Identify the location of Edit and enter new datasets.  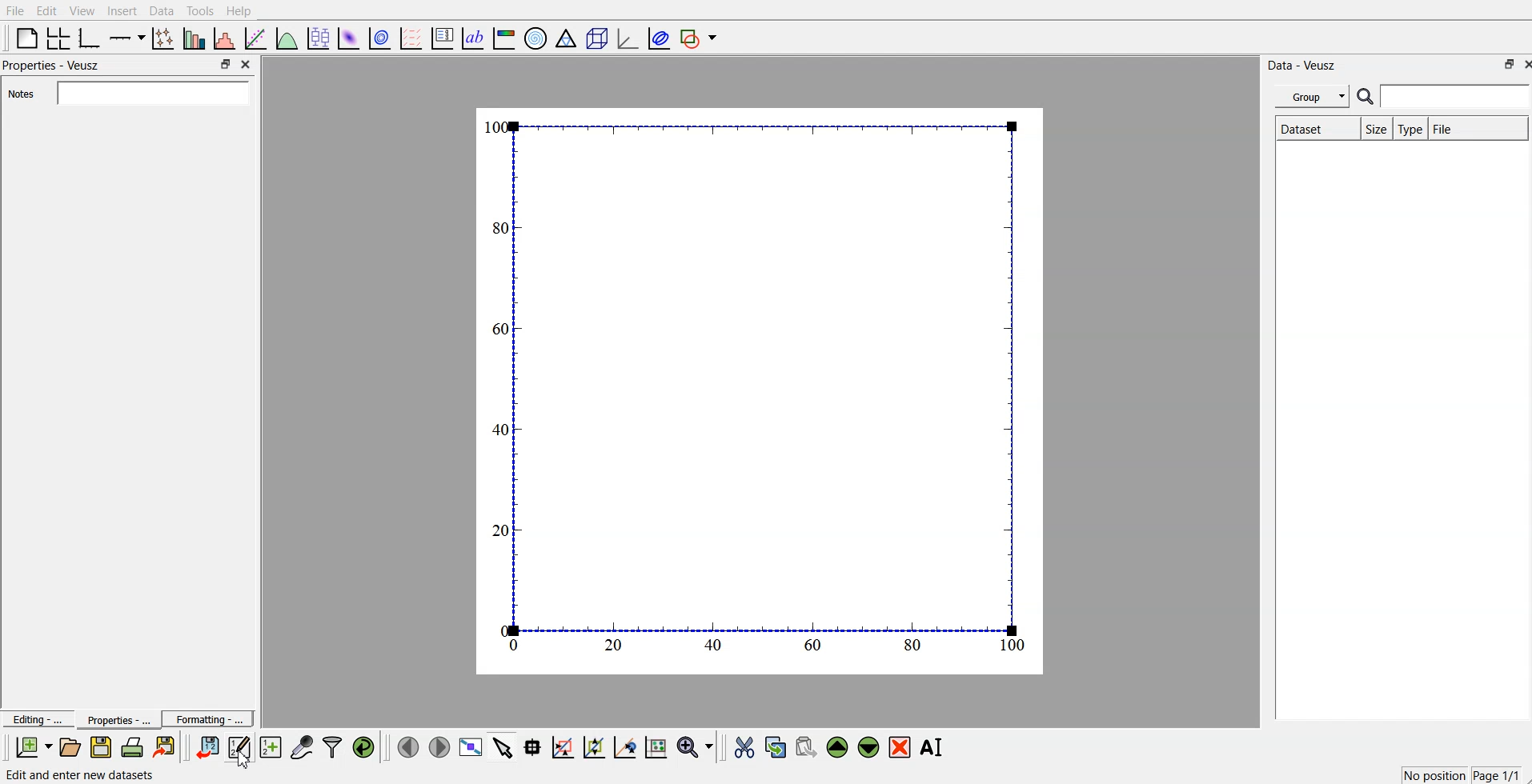
(81, 775).